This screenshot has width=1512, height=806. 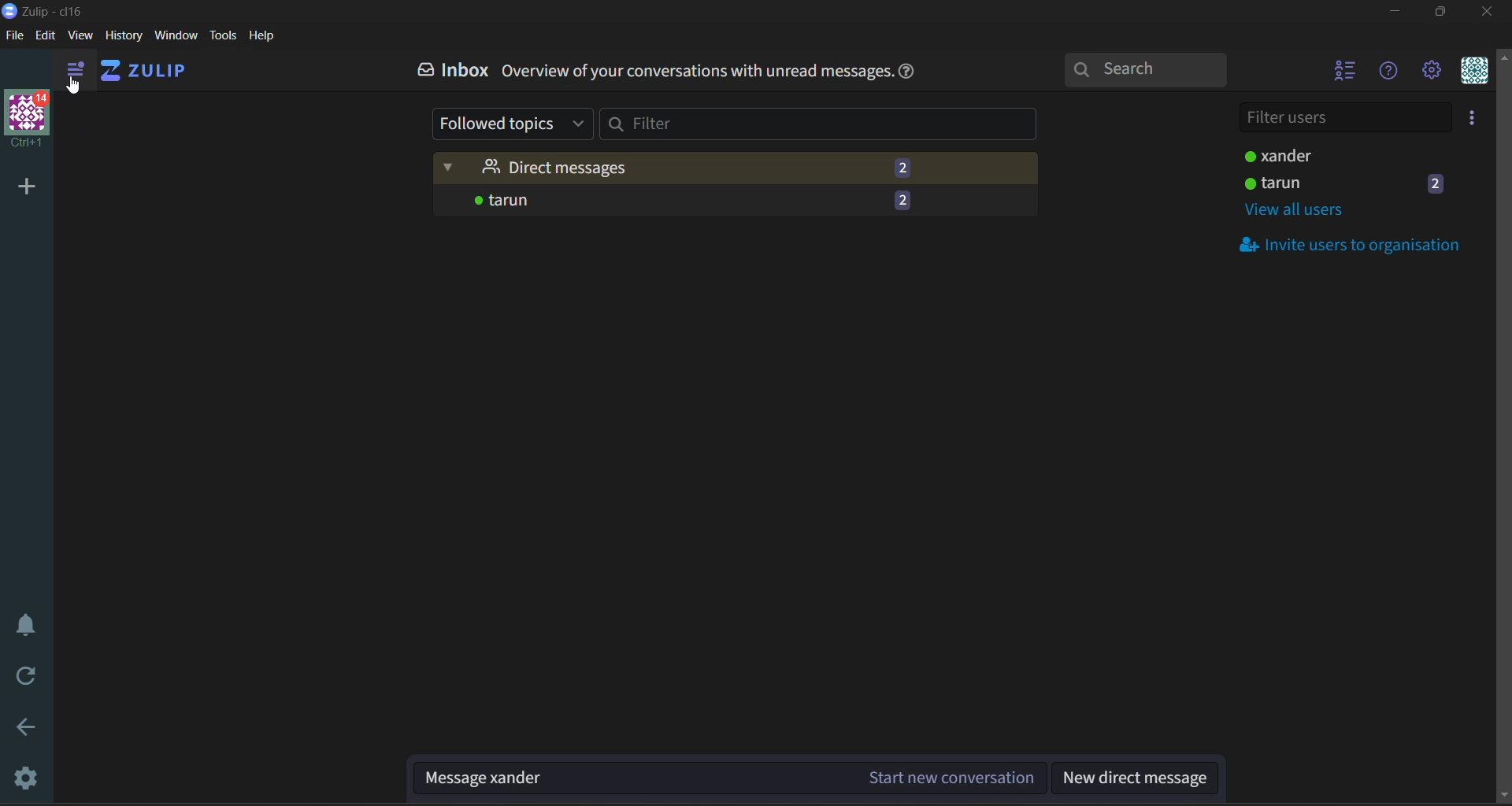 What do you see at coordinates (48, 13) in the screenshot?
I see `application logo and name` at bounding box center [48, 13].